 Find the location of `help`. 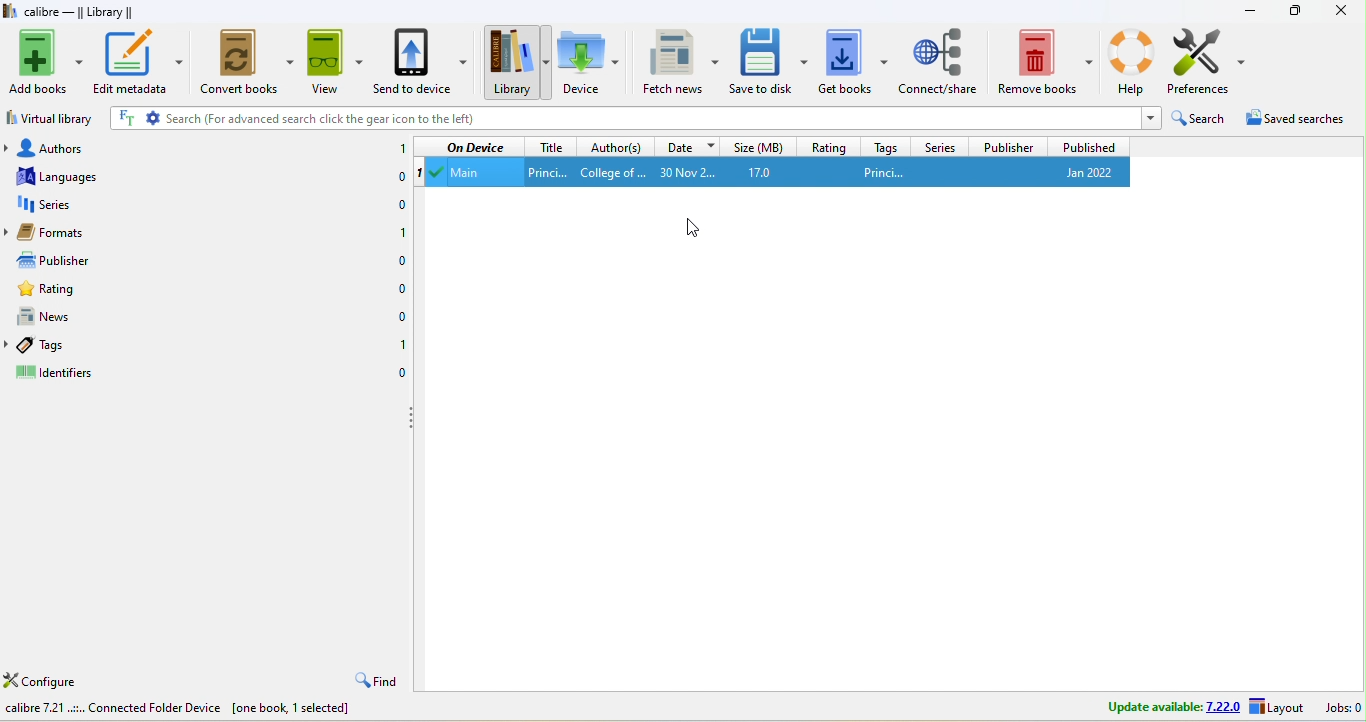

help is located at coordinates (1131, 59).